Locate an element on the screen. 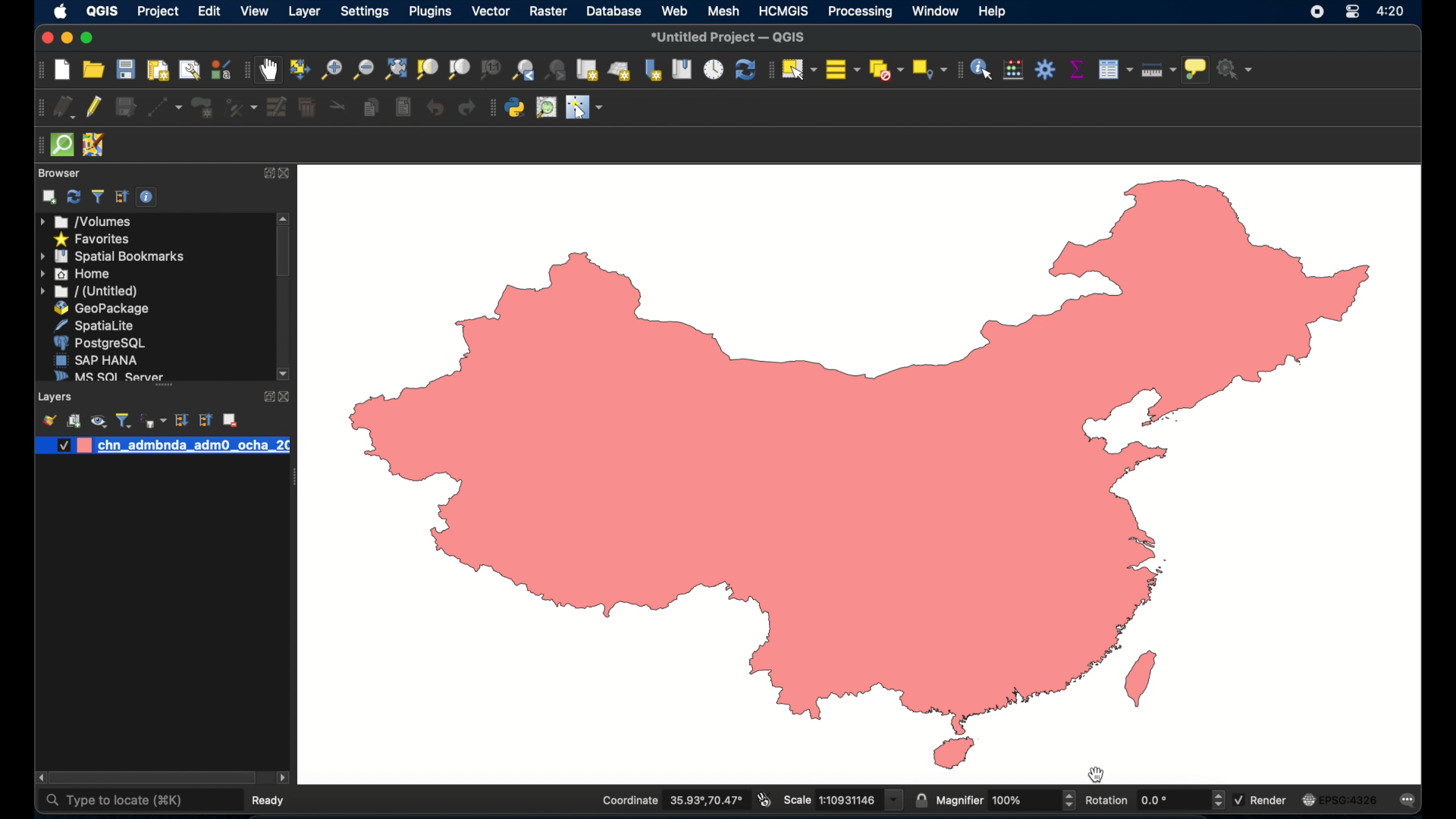 Image resolution: width=1456 pixels, height=819 pixels. new 3d map view is located at coordinates (620, 71).